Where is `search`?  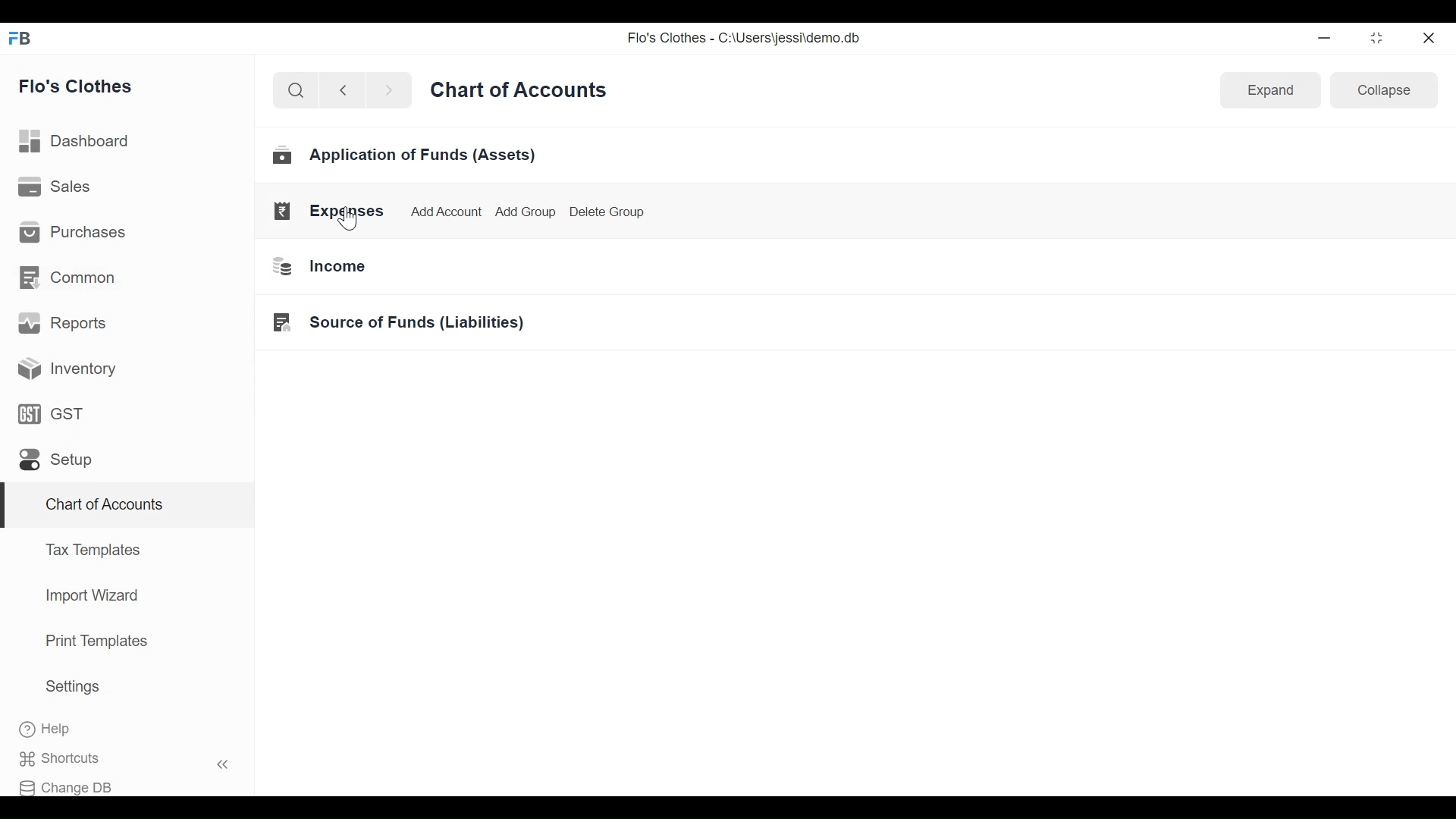 search is located at coordinates (296, 91).